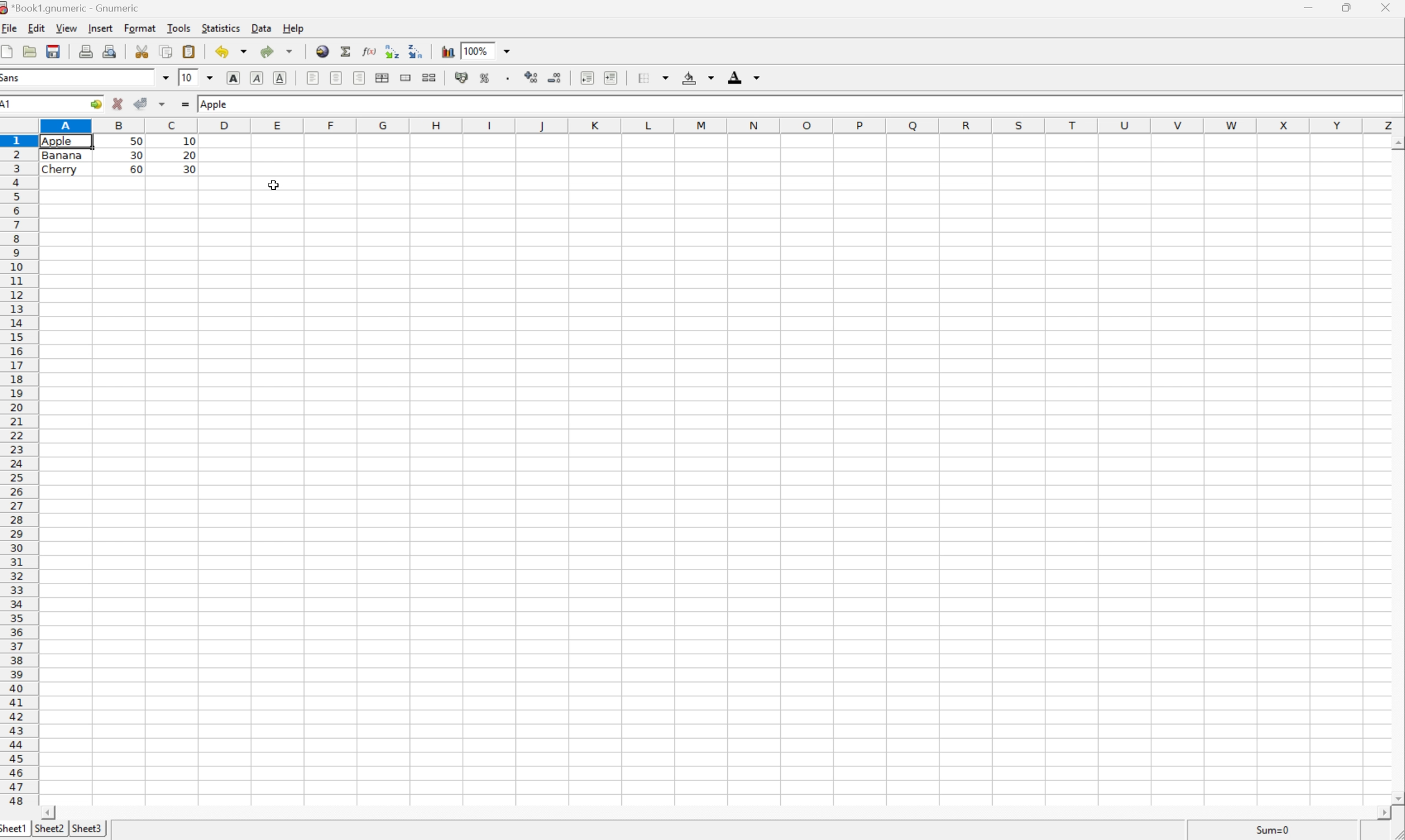  What do you see at coordinates (165, 76) in the screenshot?
I see `drop down` at bounding box center [165, 76].